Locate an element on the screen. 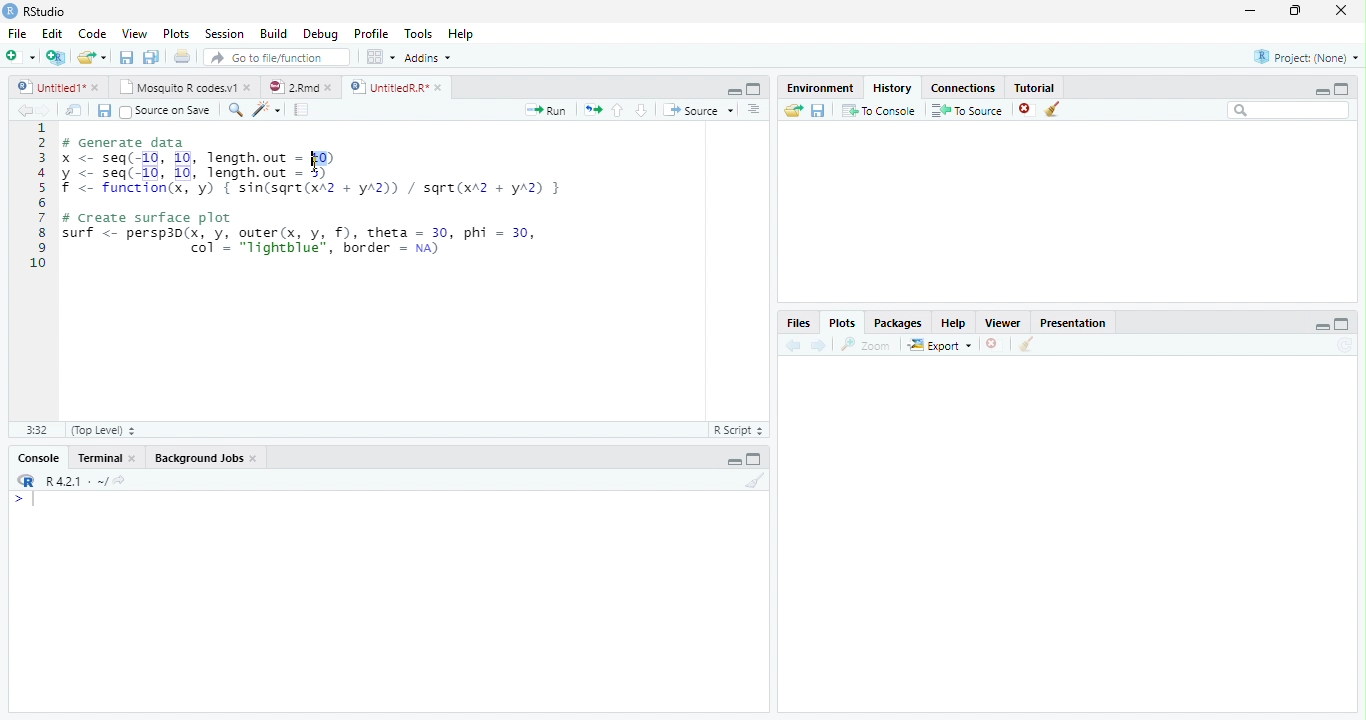  Plots is located at coordinates (175, 33).